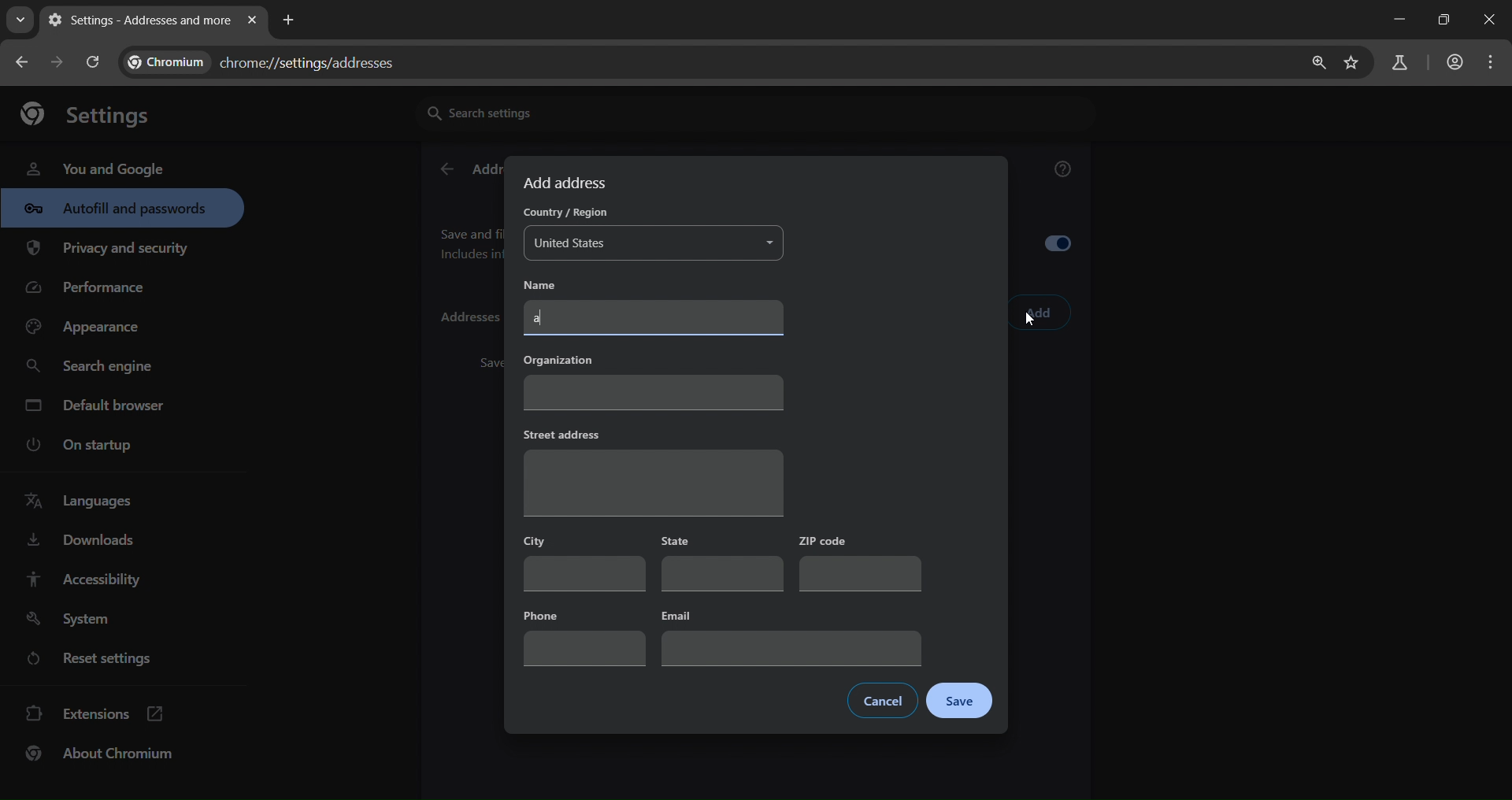 The width and height of the screenshot is (1512, 800). What do you see at coordinates (98, 408) in the screenshot?
I see `default engine` at bounding box center [98, 408].